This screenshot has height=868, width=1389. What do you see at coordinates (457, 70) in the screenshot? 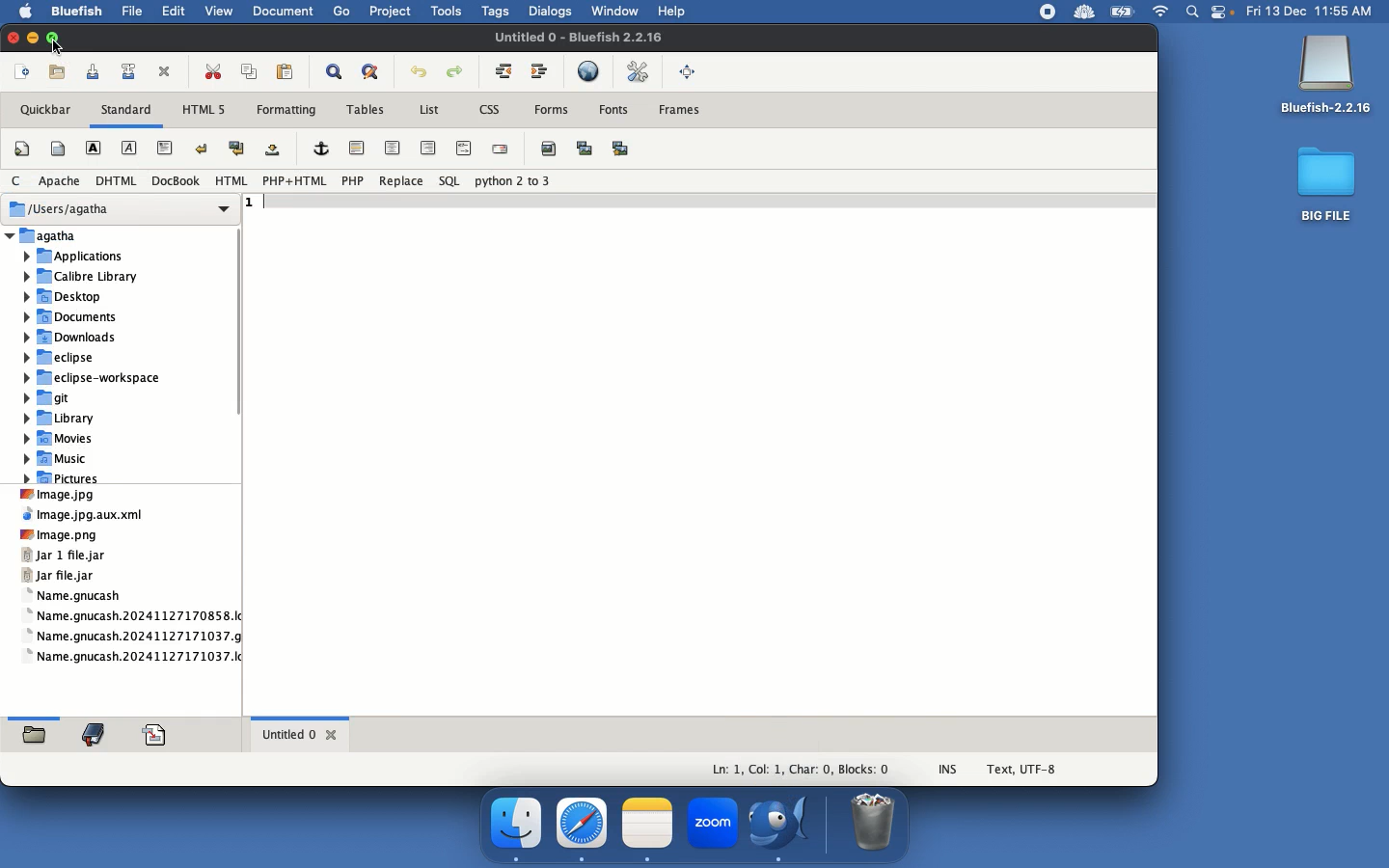
I see `Redo` at bounding box center [457, 70].